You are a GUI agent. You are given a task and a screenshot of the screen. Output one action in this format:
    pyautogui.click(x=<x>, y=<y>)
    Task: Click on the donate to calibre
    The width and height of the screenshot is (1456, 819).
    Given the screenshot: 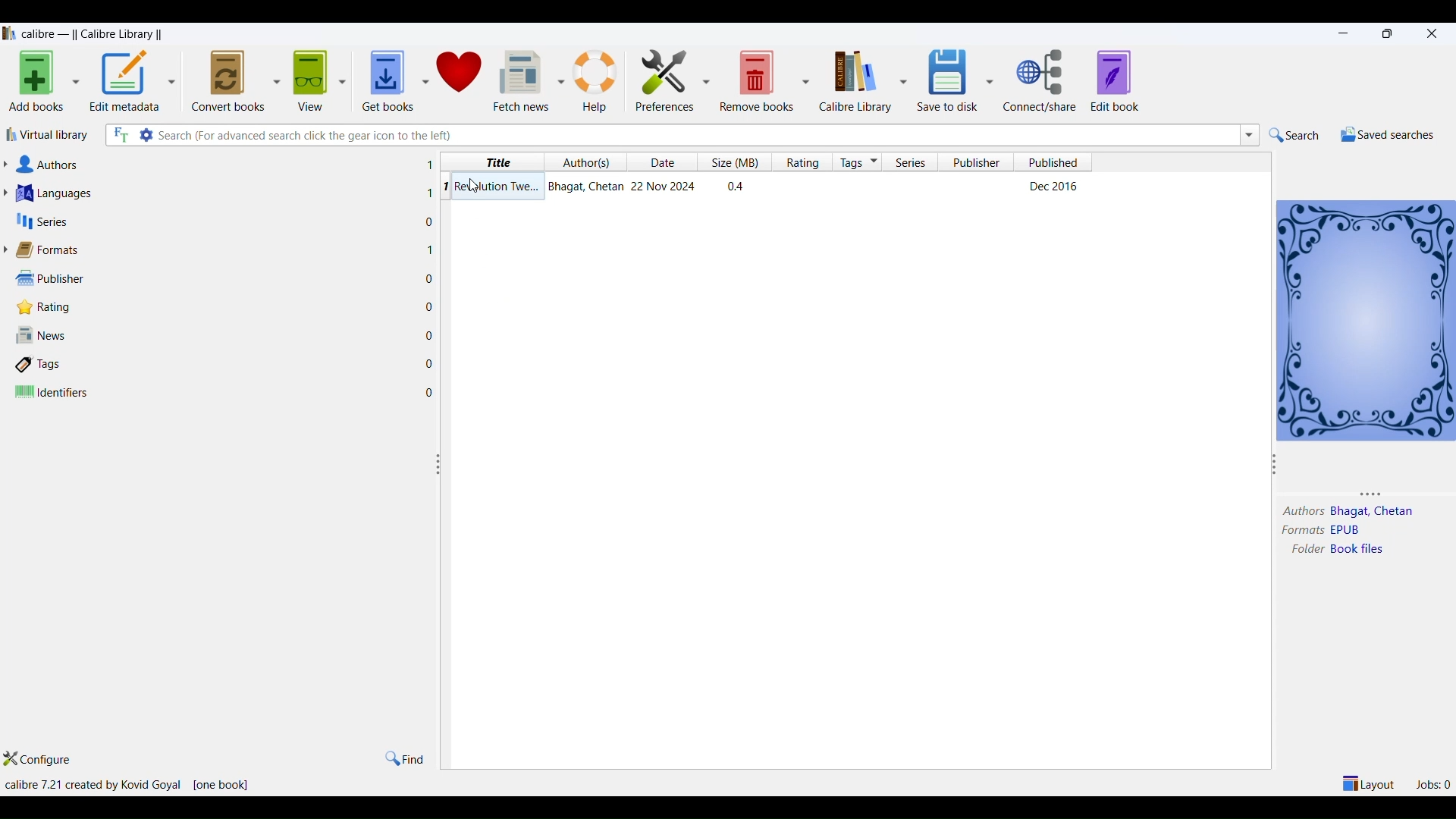 What is the action you would take?
    pyautogui.click(x=463, y=76)
    